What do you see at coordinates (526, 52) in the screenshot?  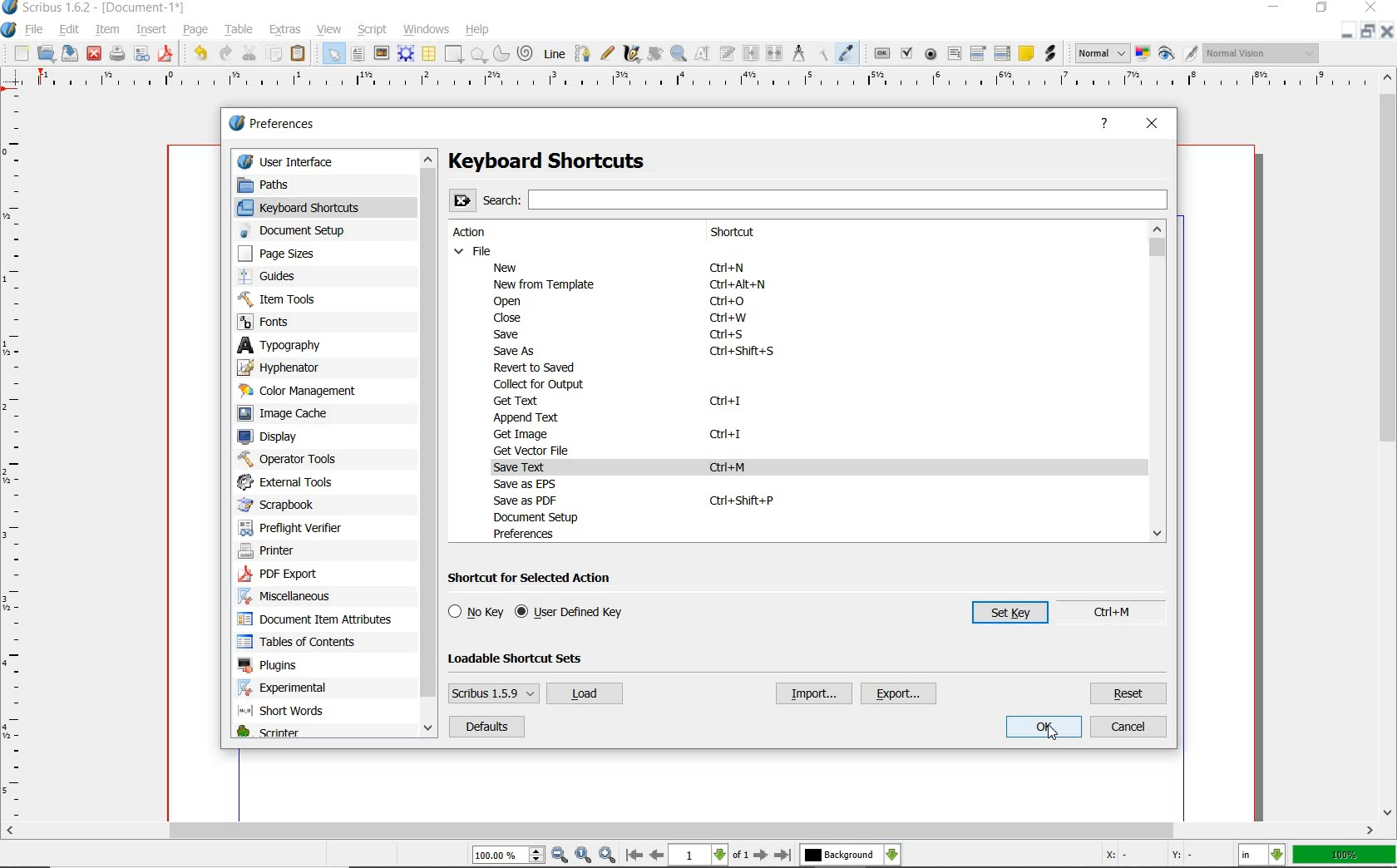 I see `spiral` at bounding box center [526, 52].